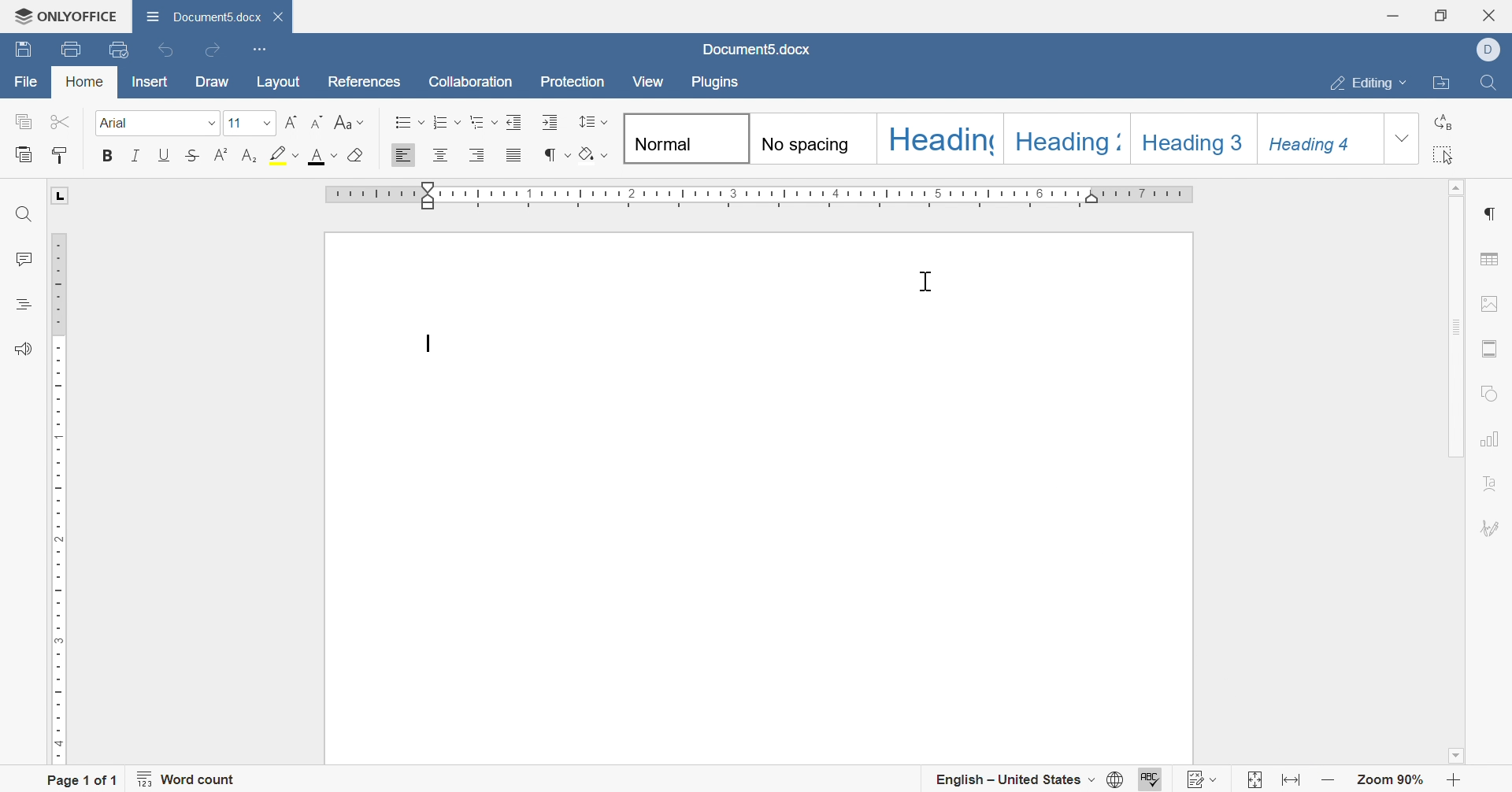 The width and height of the screenshot is (1512, 792). Describe the element at coordinates (26, 309) in the screenshot. I see `headings` at that location.